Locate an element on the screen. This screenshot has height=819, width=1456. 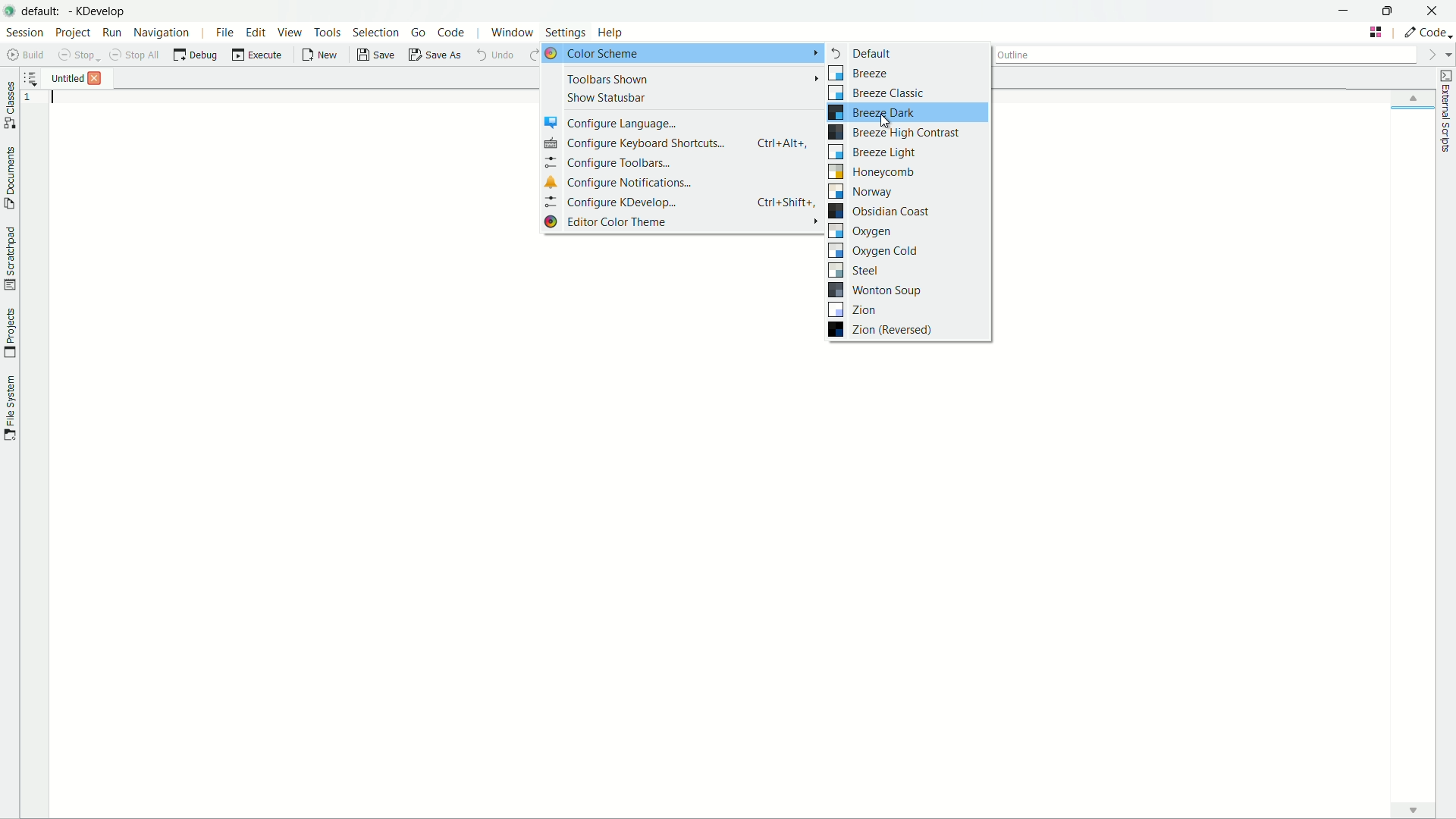
app icon is located at coordinates (10, 9).